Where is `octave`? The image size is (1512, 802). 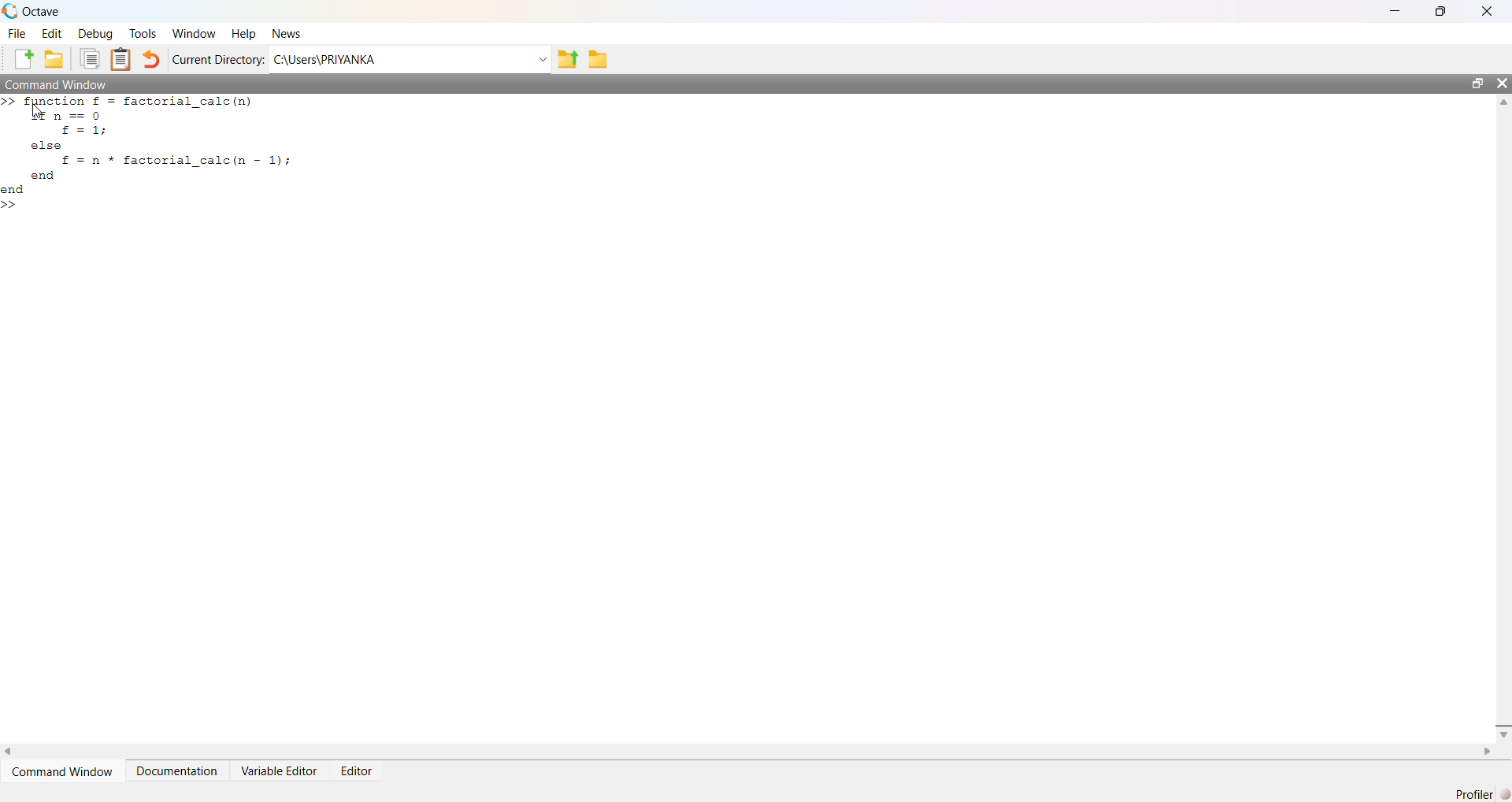 octave is located at coordinates (44, 12).